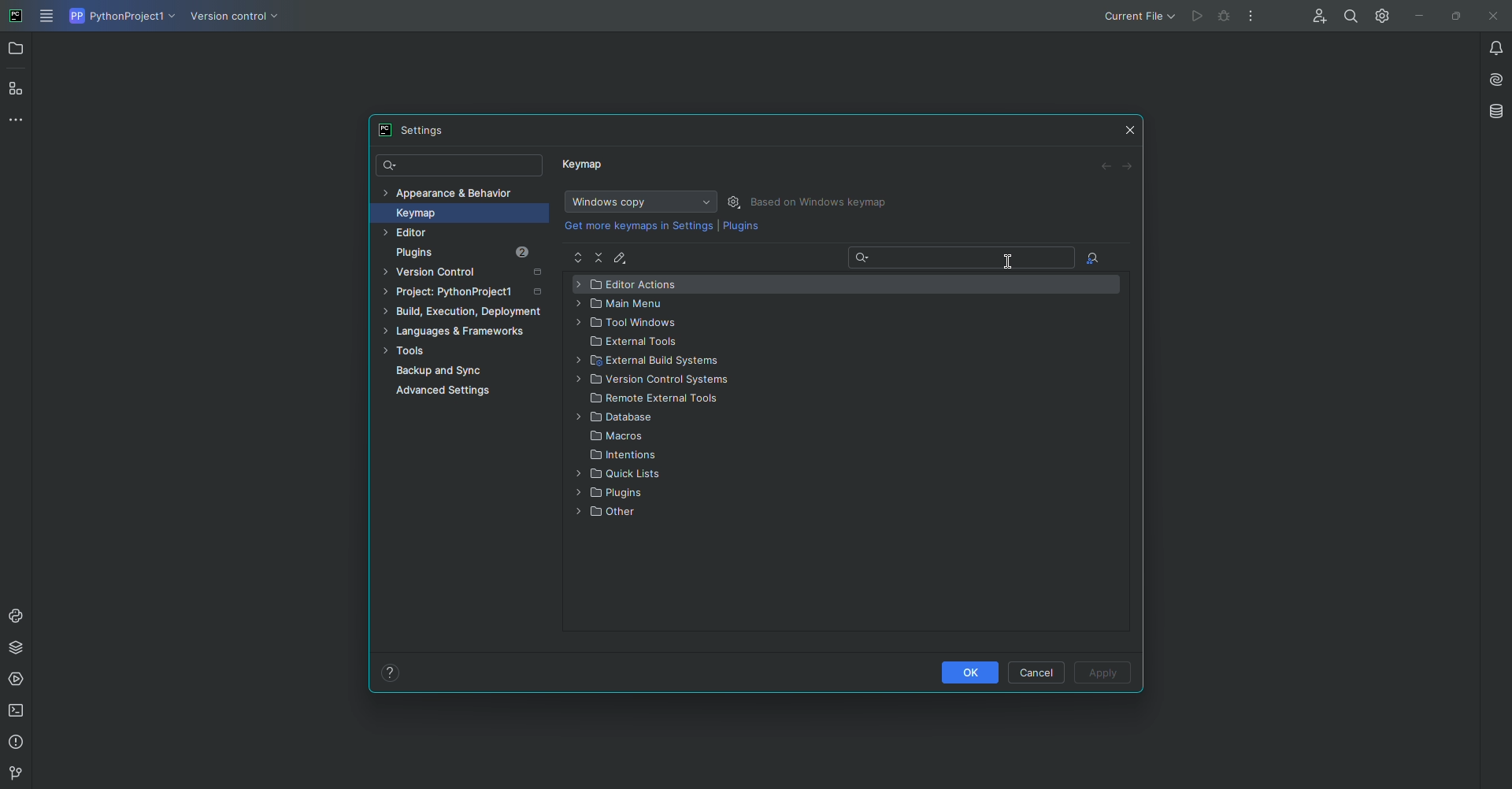  What do you see at coordinates (454, 213) in the screenshot?
I see `Keymap` at bounding box center [454, 213].